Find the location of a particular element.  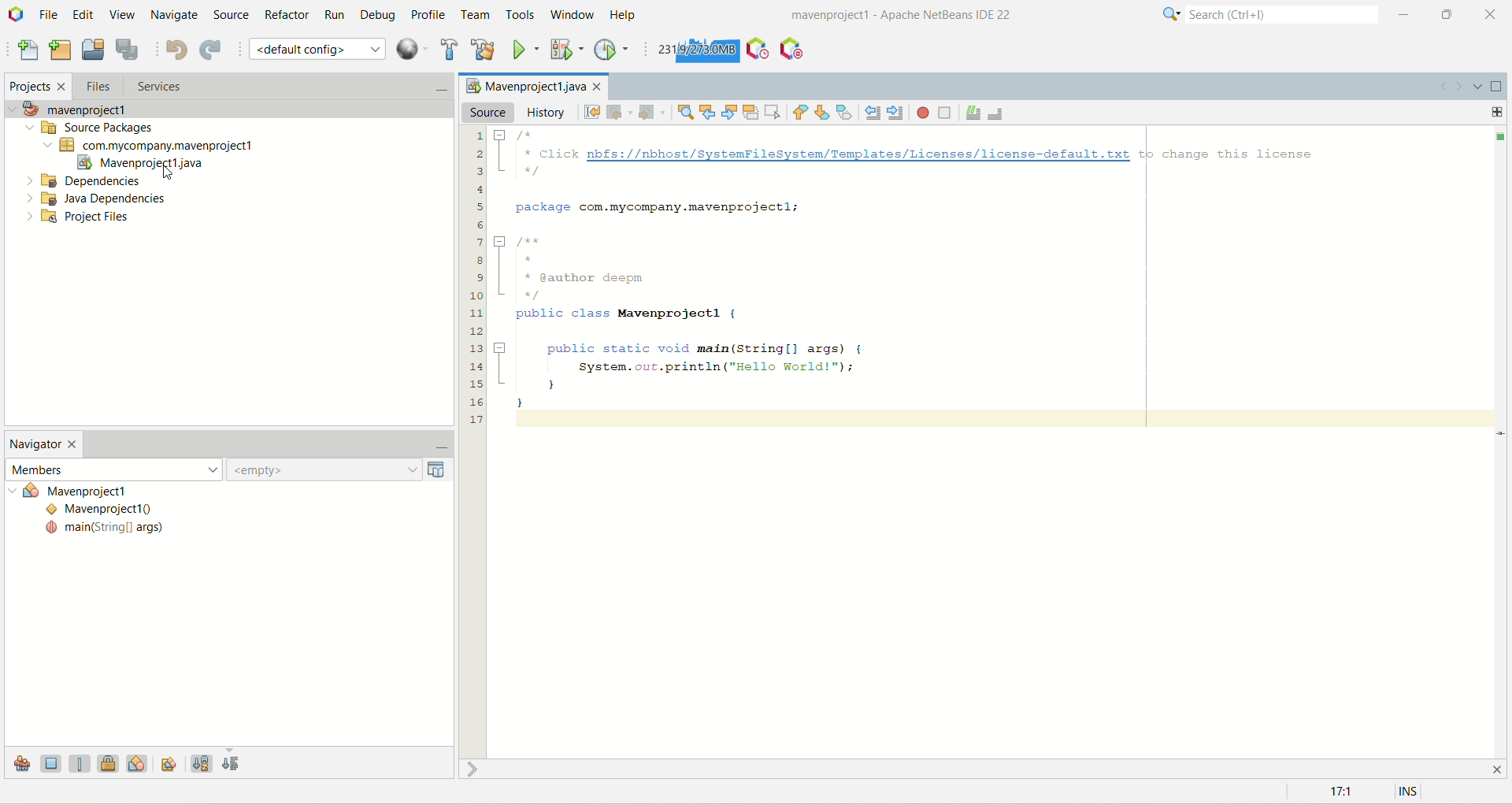

clean and build project is located at coordinates (483, 49).